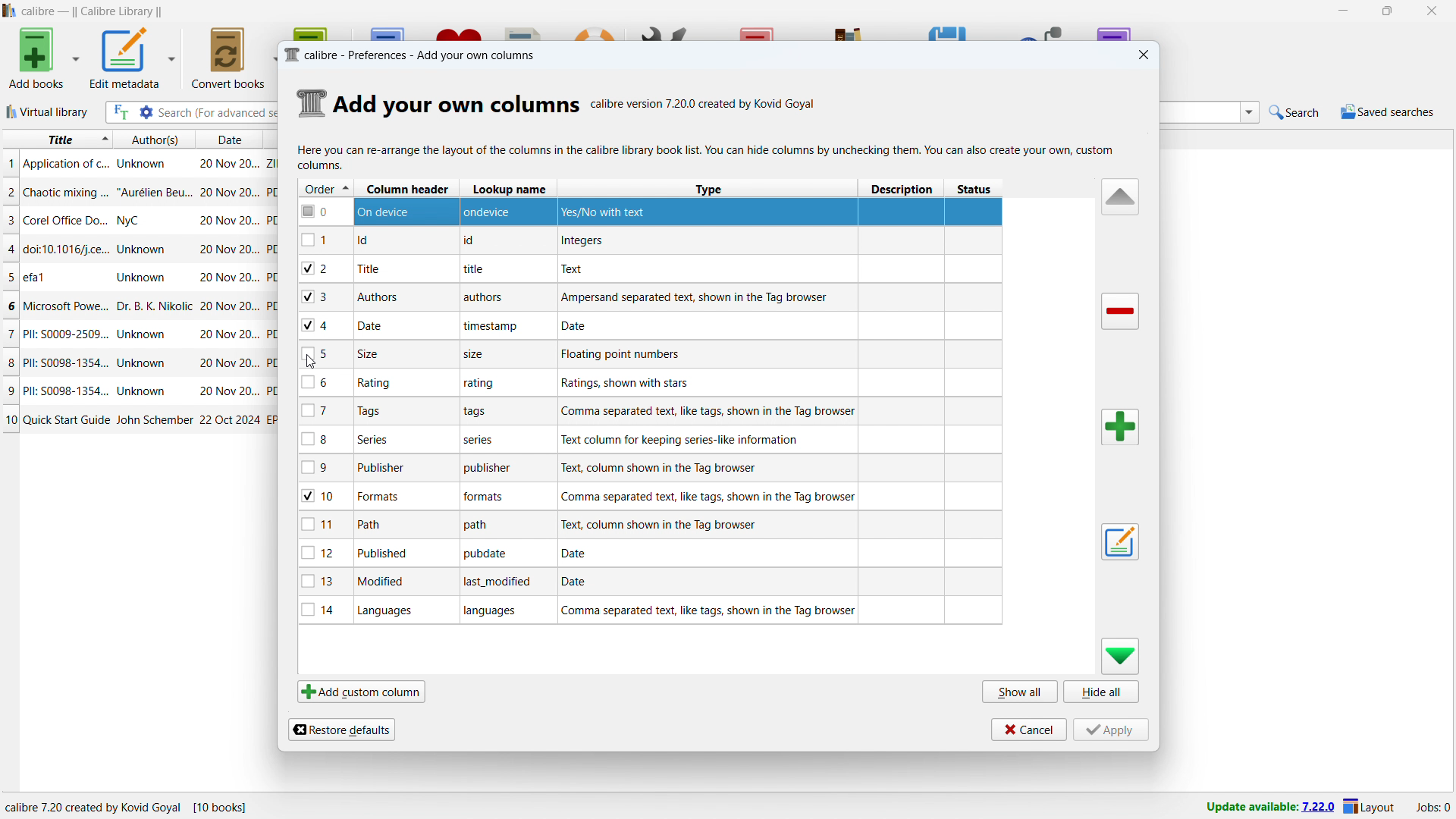 Image resolution: width=1456 pixels, height=819 pixels. Describe the element at coordinates (375, 523) in the screenshot. I see `path` at that location.